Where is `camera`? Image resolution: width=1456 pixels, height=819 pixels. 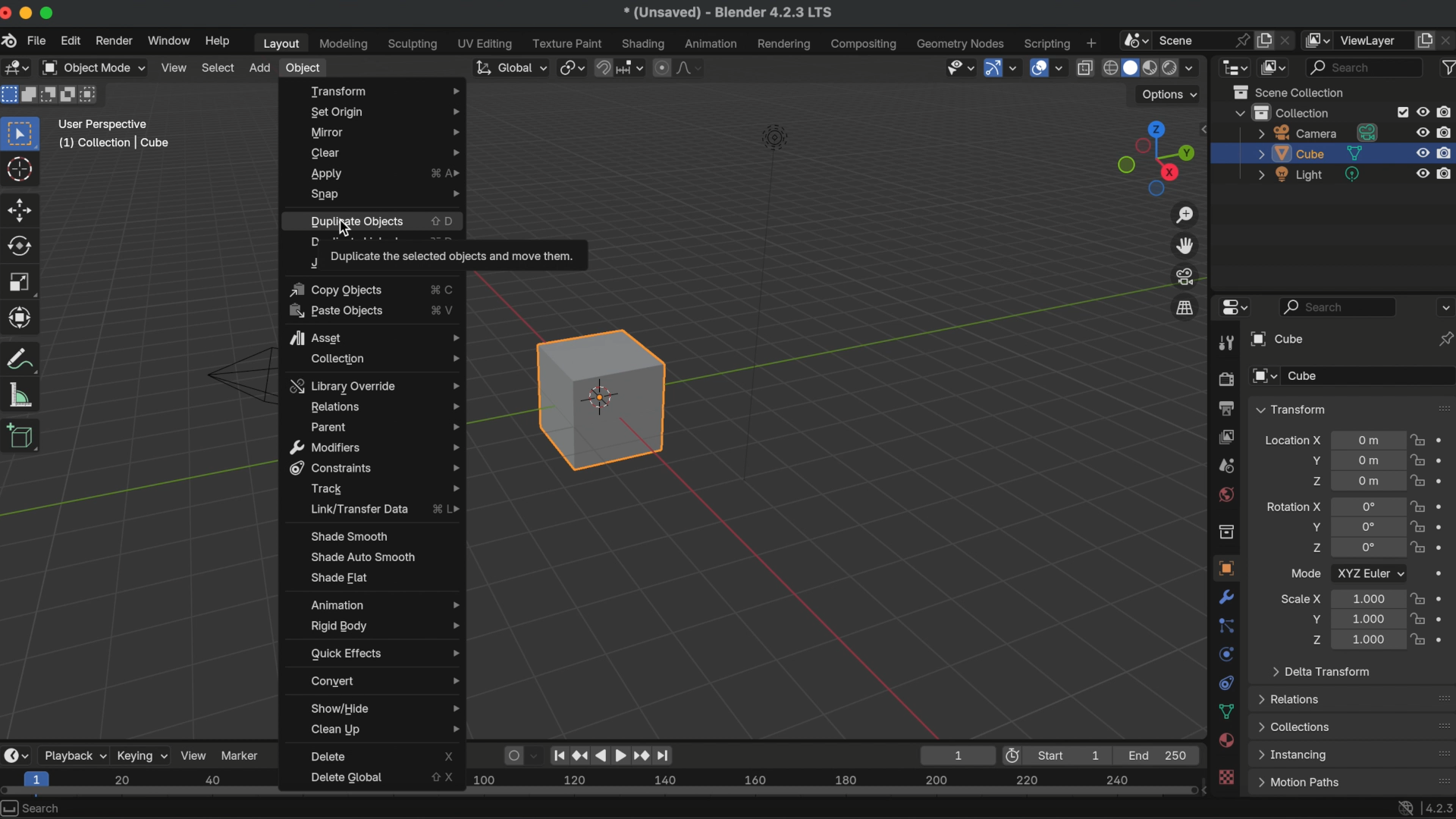 camera is located at coordinates (1319, 133).